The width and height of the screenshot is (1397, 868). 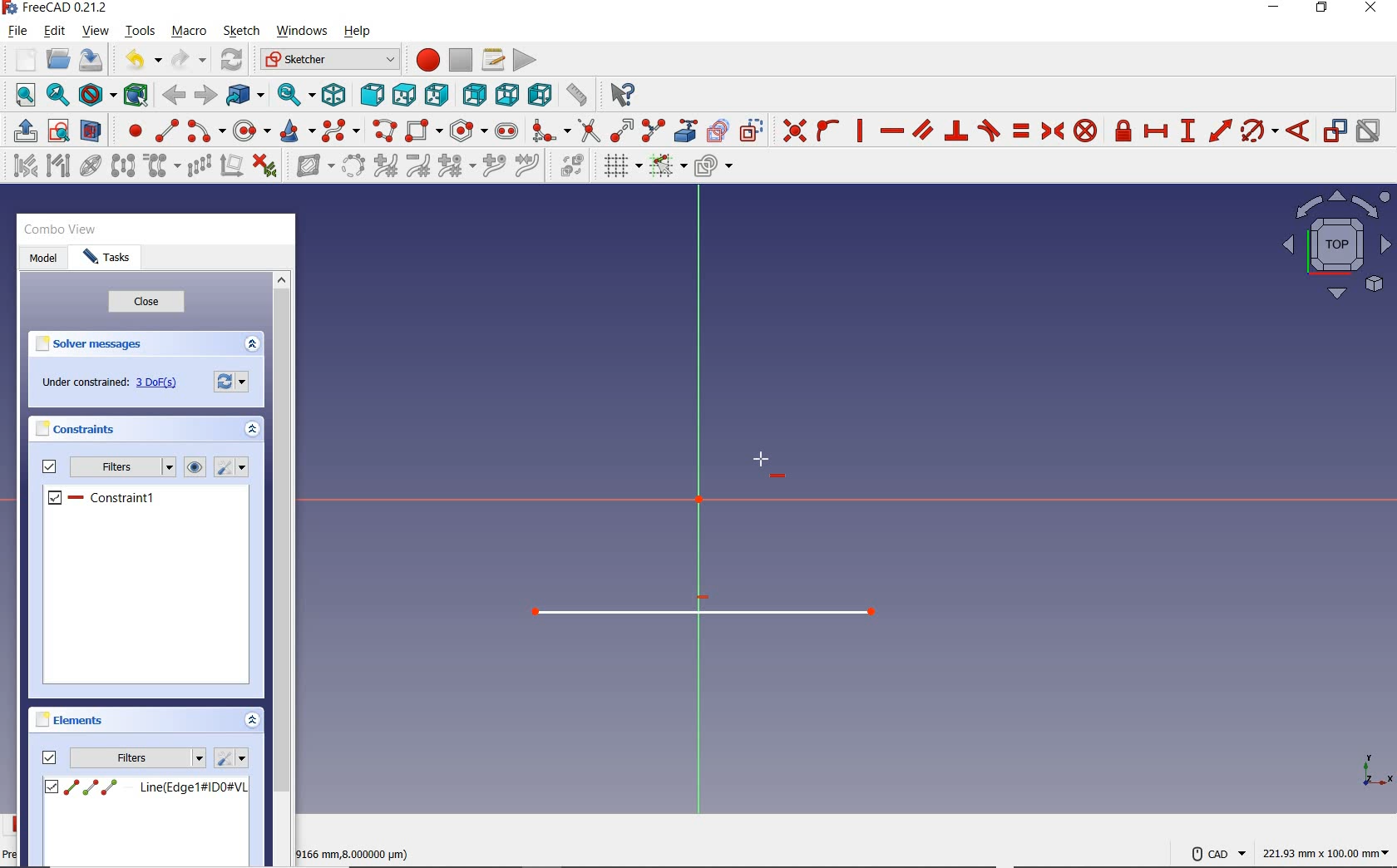 I want to click on CONSTRAIN HORIZONTALLY, so click(x=891, y=131).